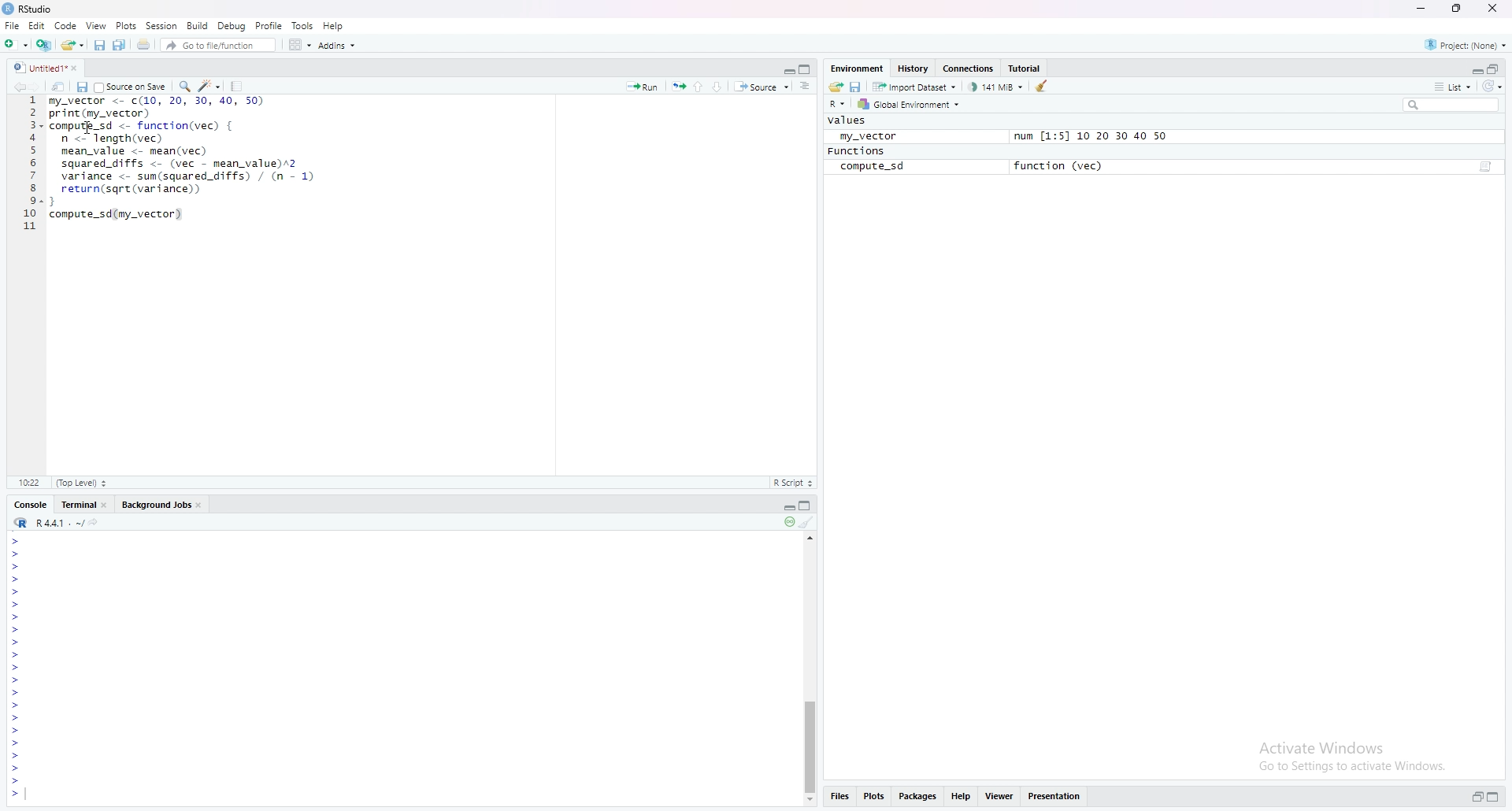 This screenshot has width=1512, height=811. I want to click on Build, so click(197, 24).